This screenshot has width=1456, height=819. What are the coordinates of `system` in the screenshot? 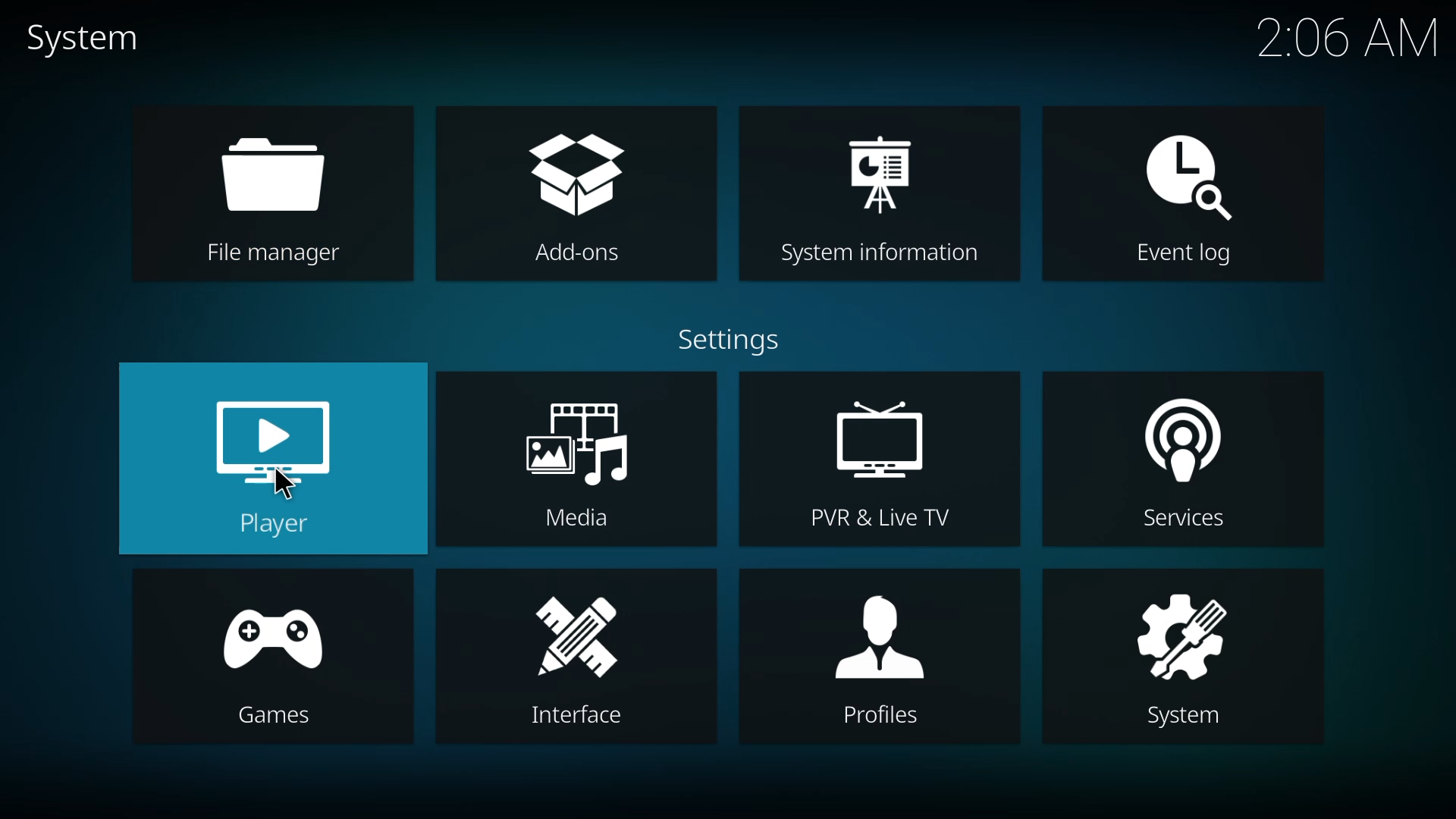 It's located at (1183, 656).